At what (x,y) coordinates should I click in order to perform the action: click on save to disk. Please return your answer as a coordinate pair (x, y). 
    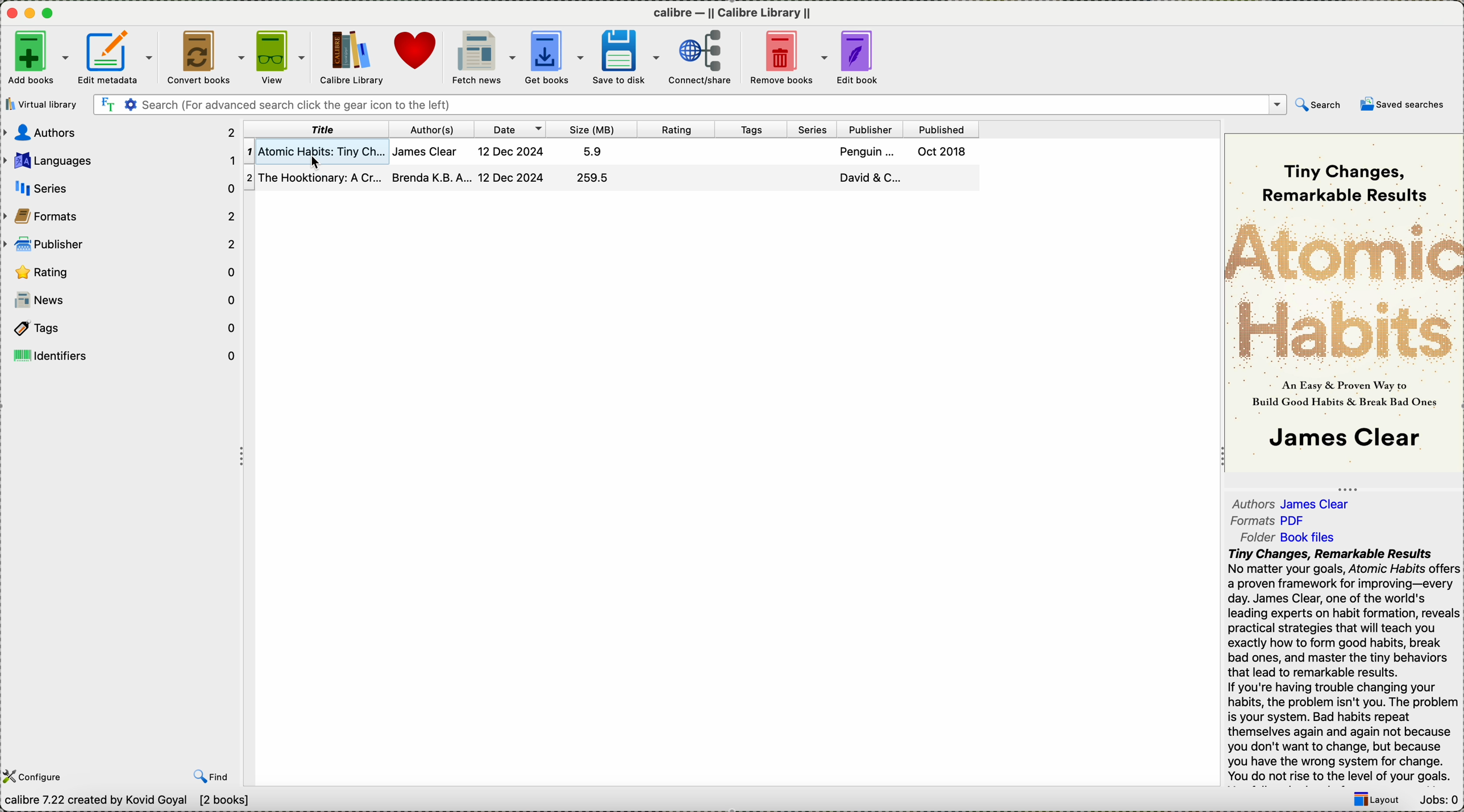
    Looking at the image, I should click on (623, 57).